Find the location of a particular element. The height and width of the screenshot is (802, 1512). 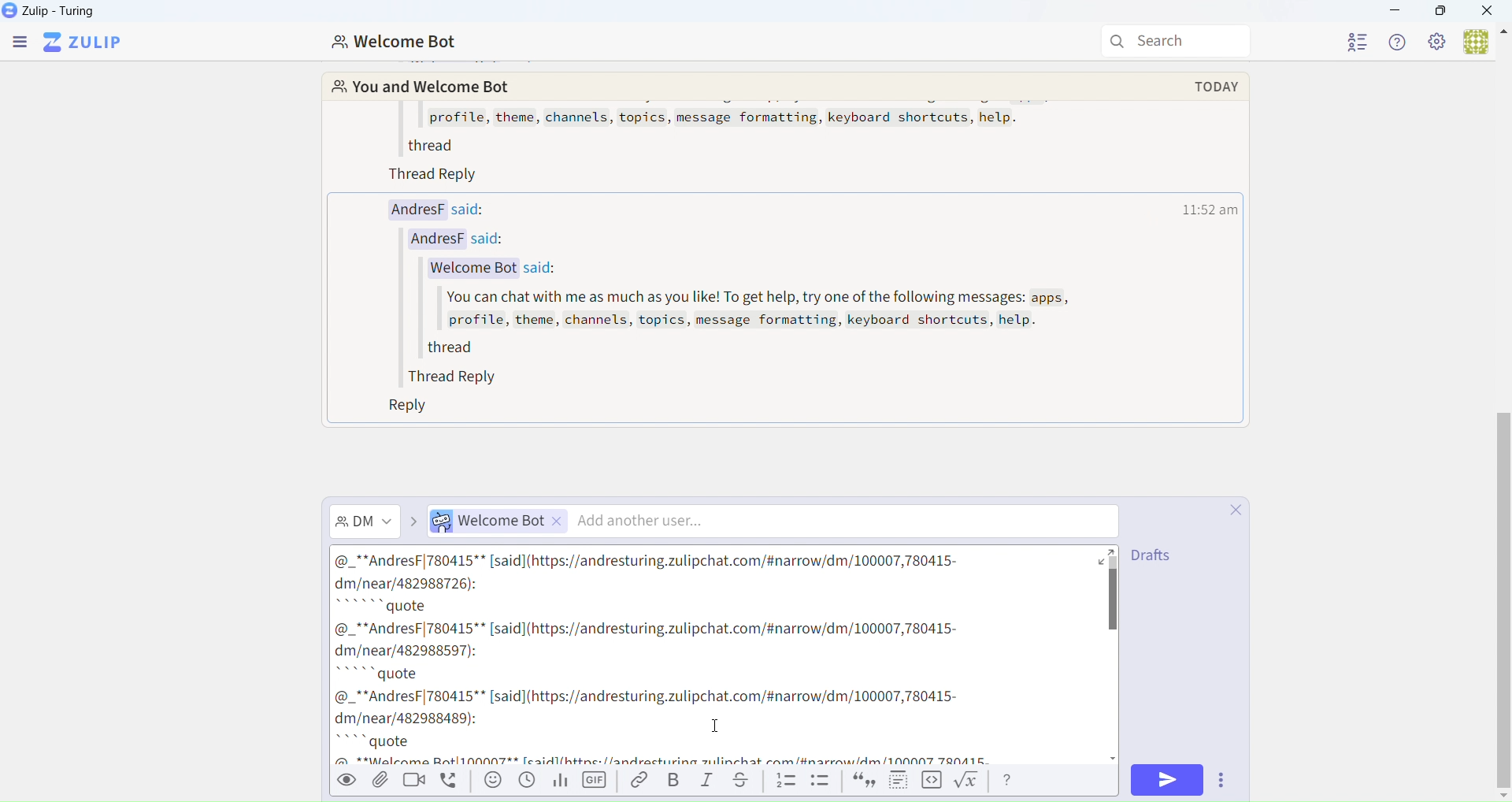

vertical scroll bar is located at coordinates (1115, 596).